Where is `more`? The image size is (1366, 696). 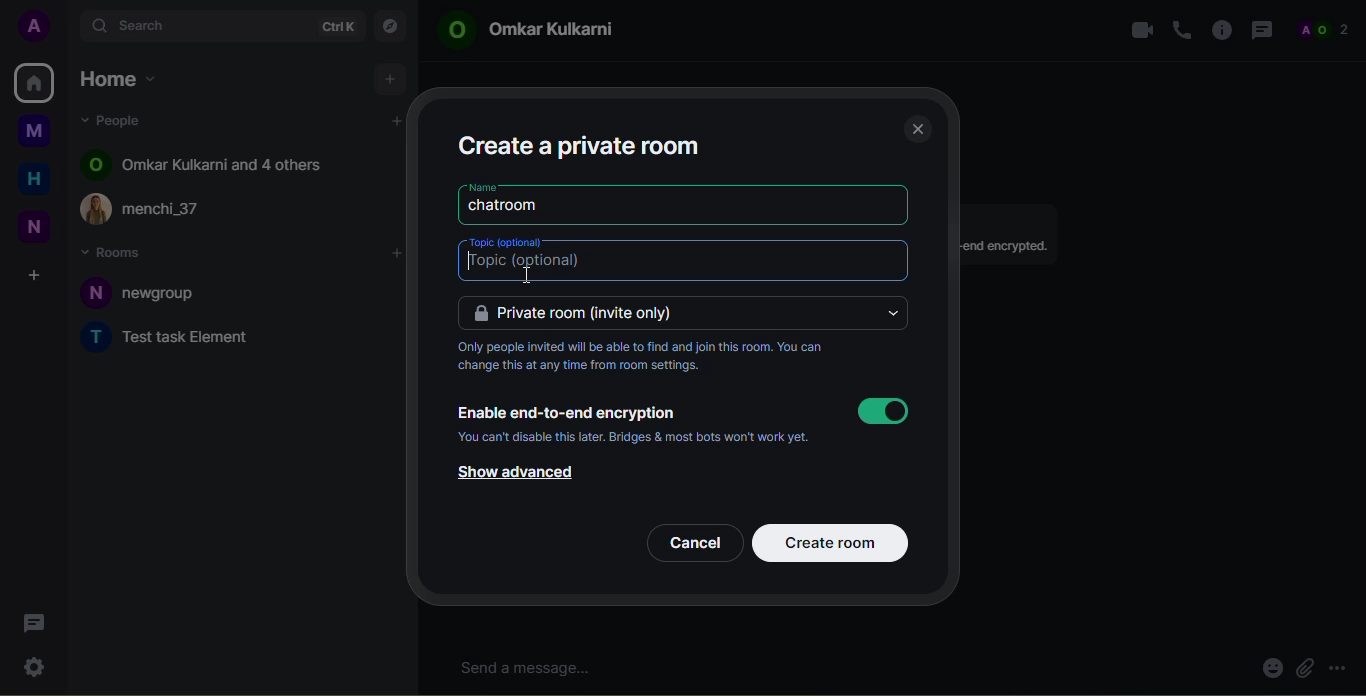
more is located at coordinates (1340, 665).